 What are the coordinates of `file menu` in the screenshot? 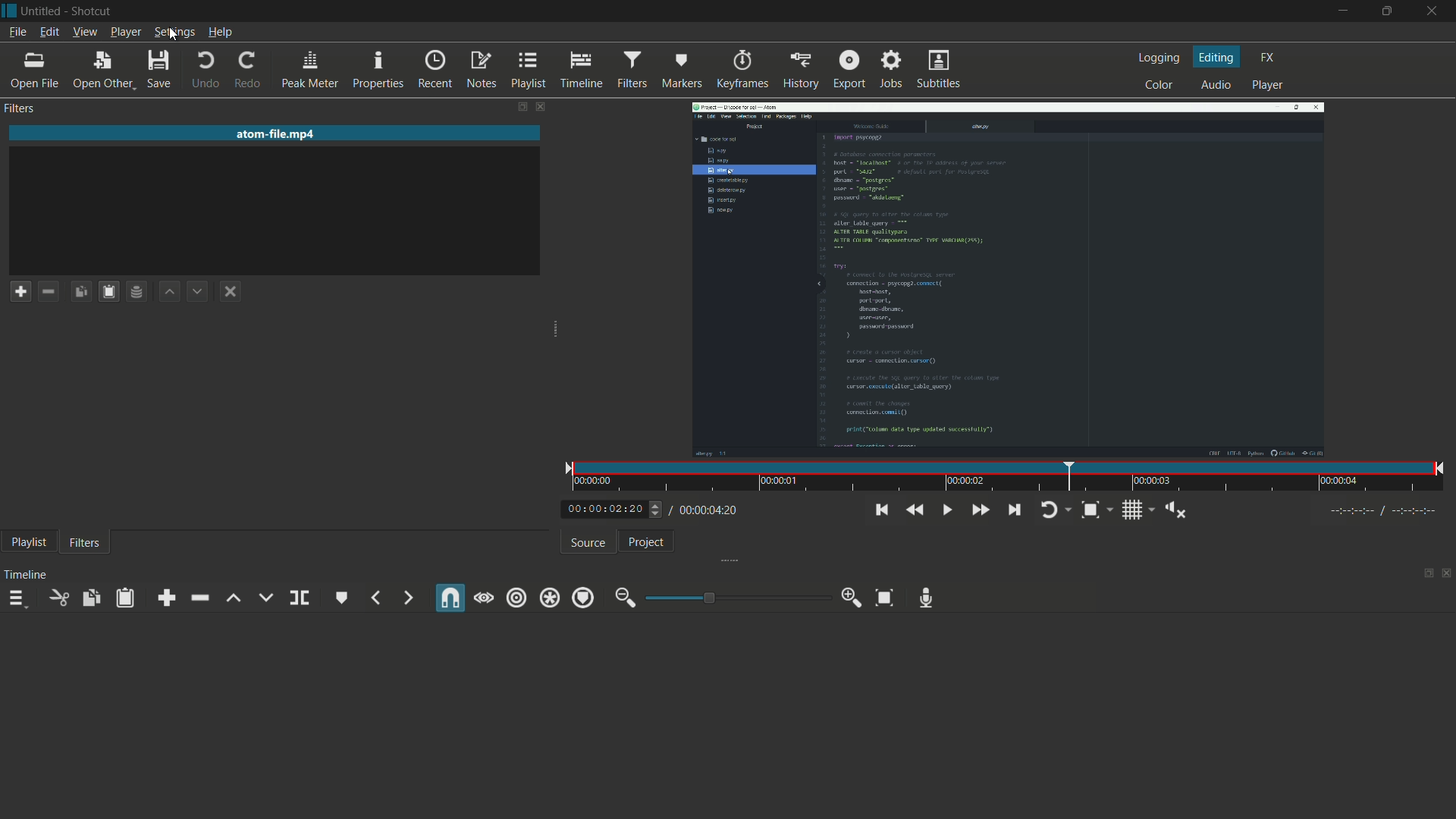 It's located at (17, 33).